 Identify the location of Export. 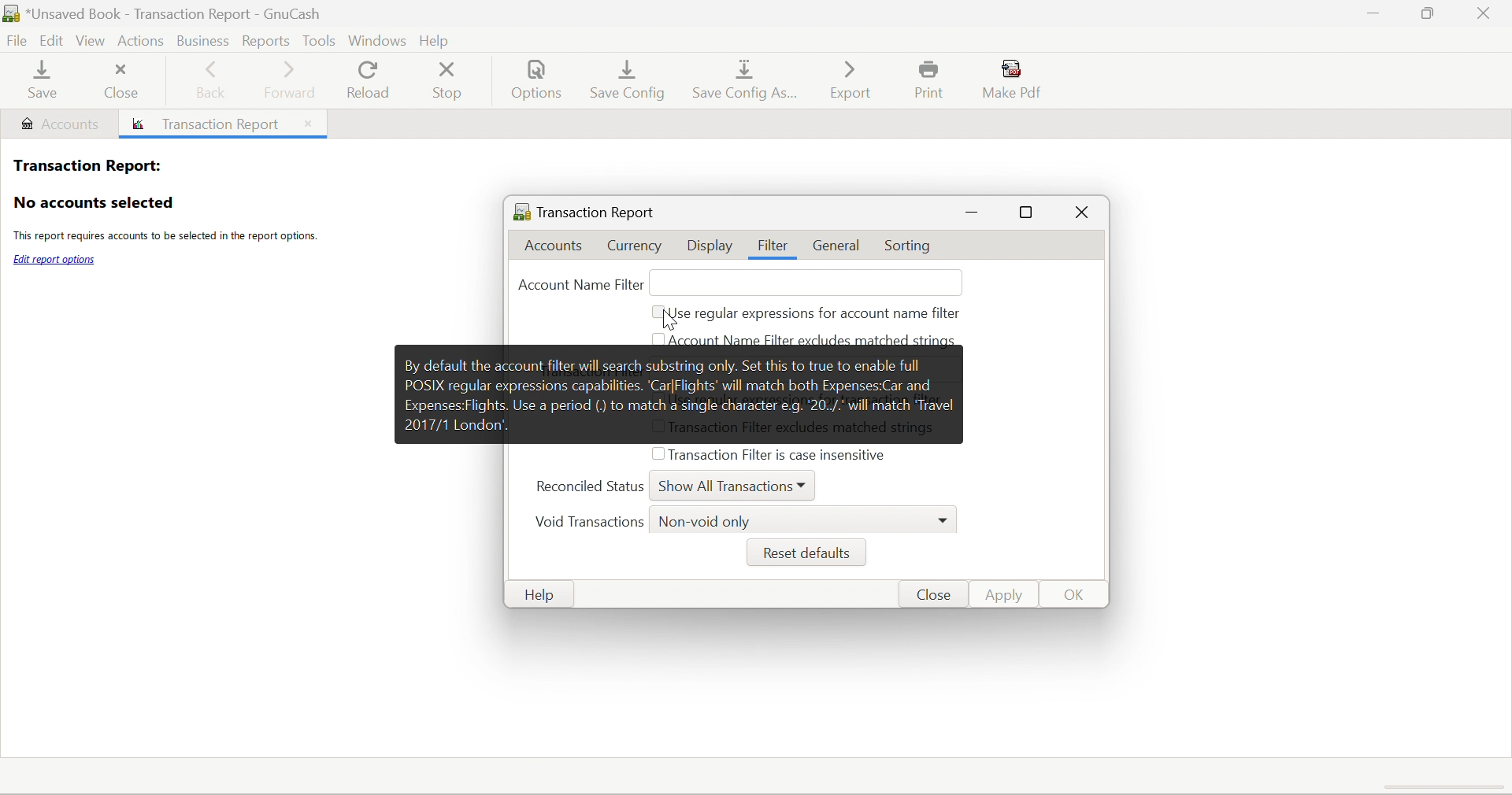
(849, 79).